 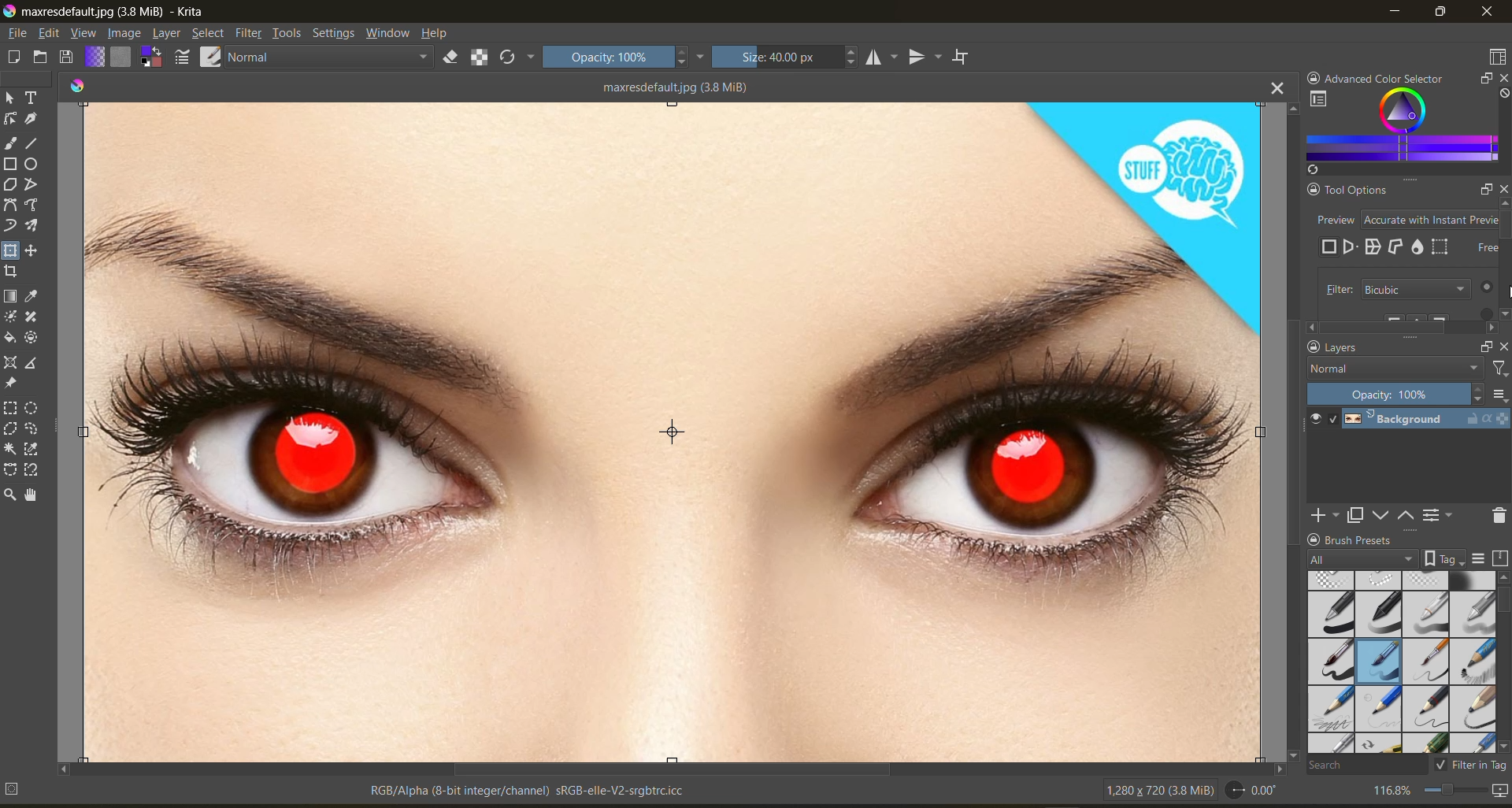 I want to click on close, so click(x=1503, y=195).